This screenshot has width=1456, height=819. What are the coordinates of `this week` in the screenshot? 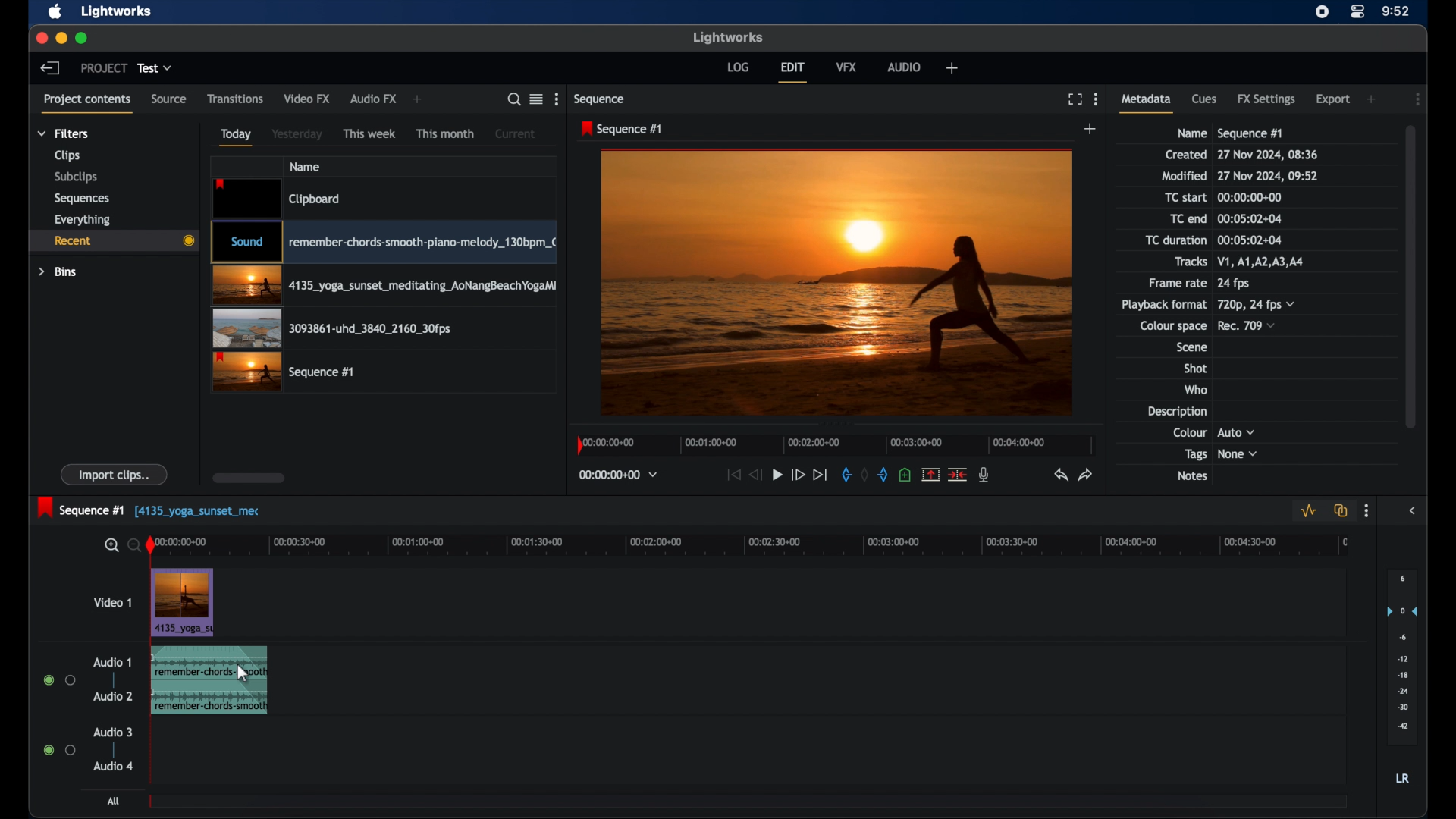 It's located at (369, 133).